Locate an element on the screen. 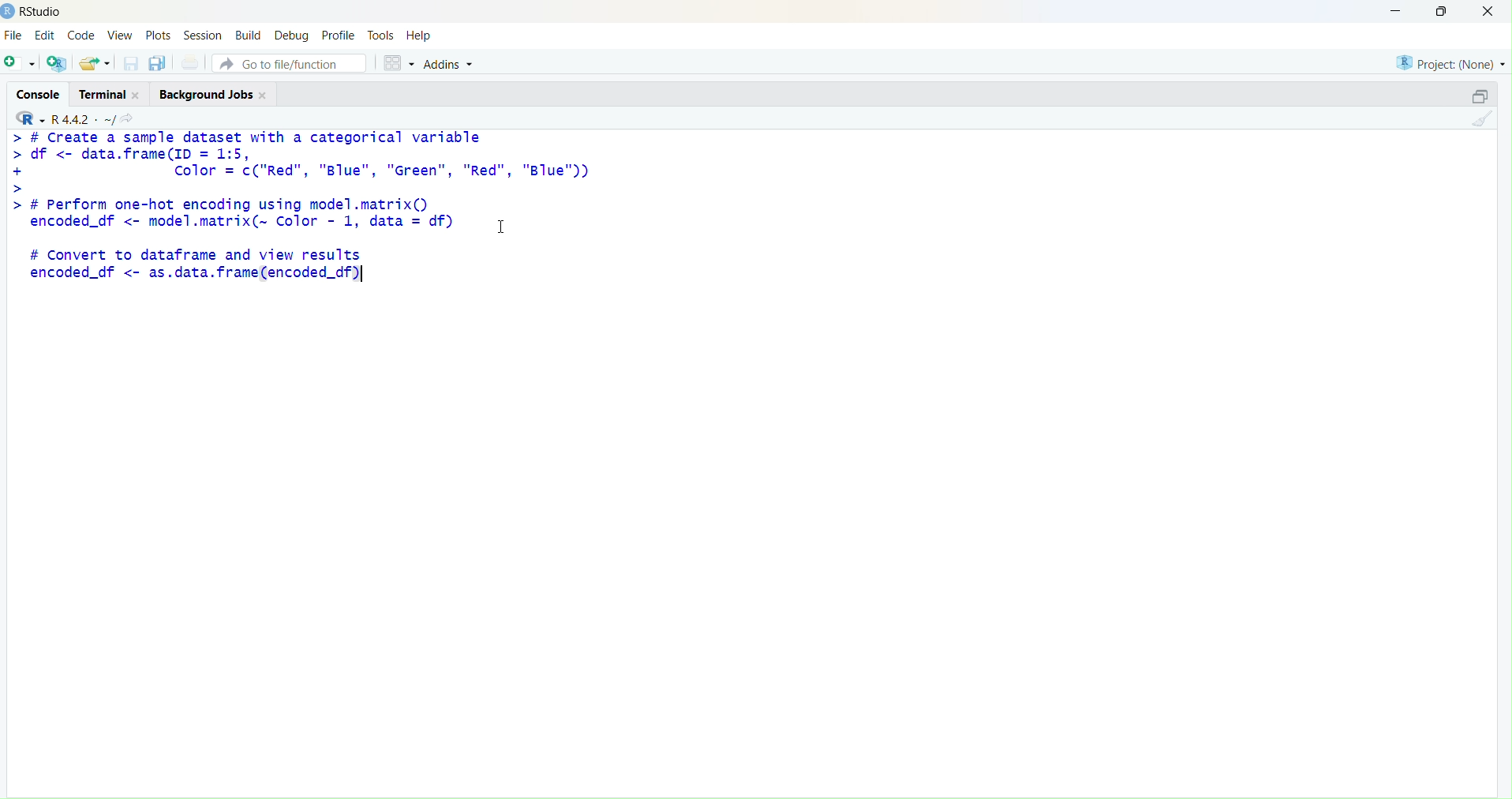  view is located at coordinates (122, 35).